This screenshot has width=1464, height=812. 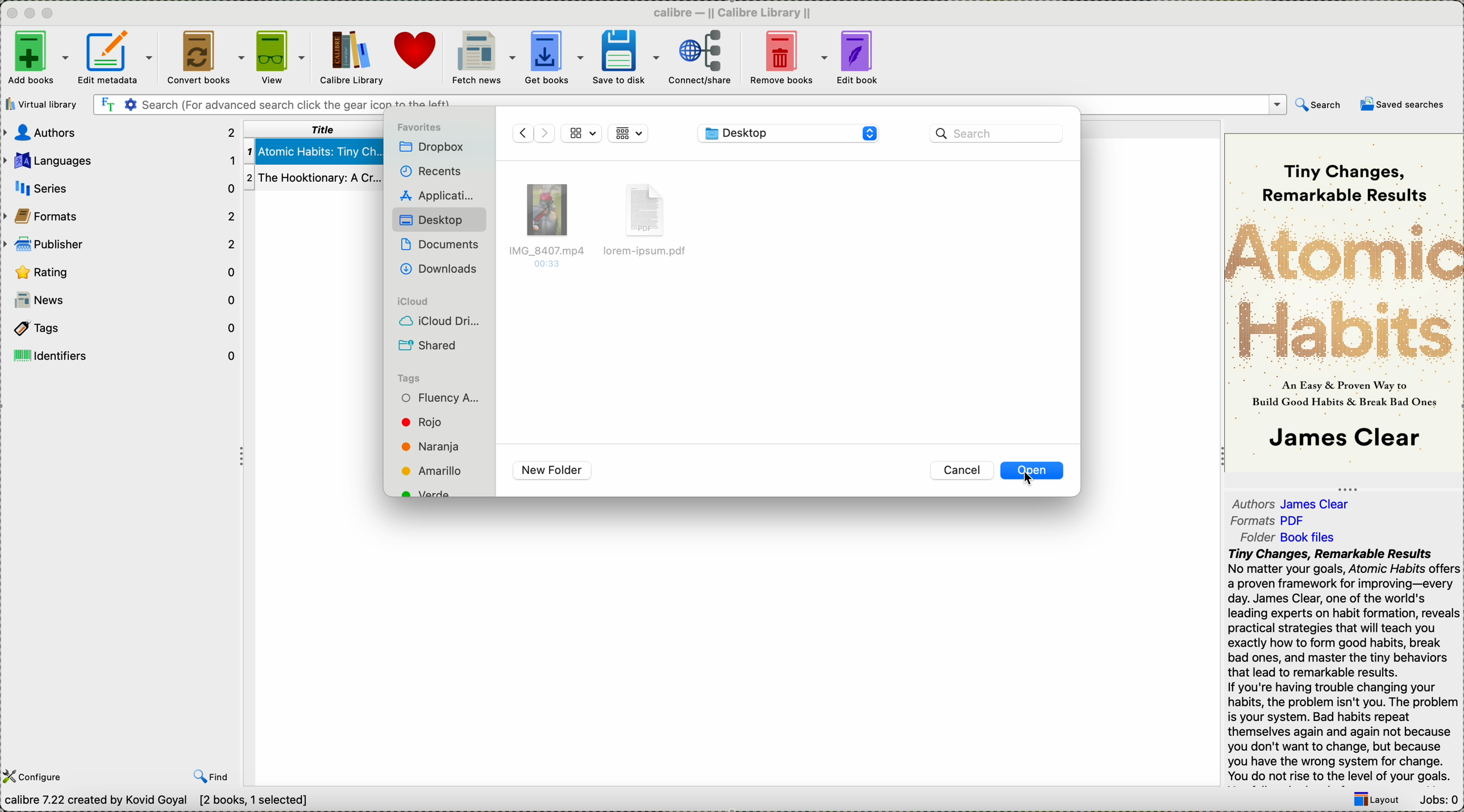 I want to click on icon, so click(x=531, y=133).